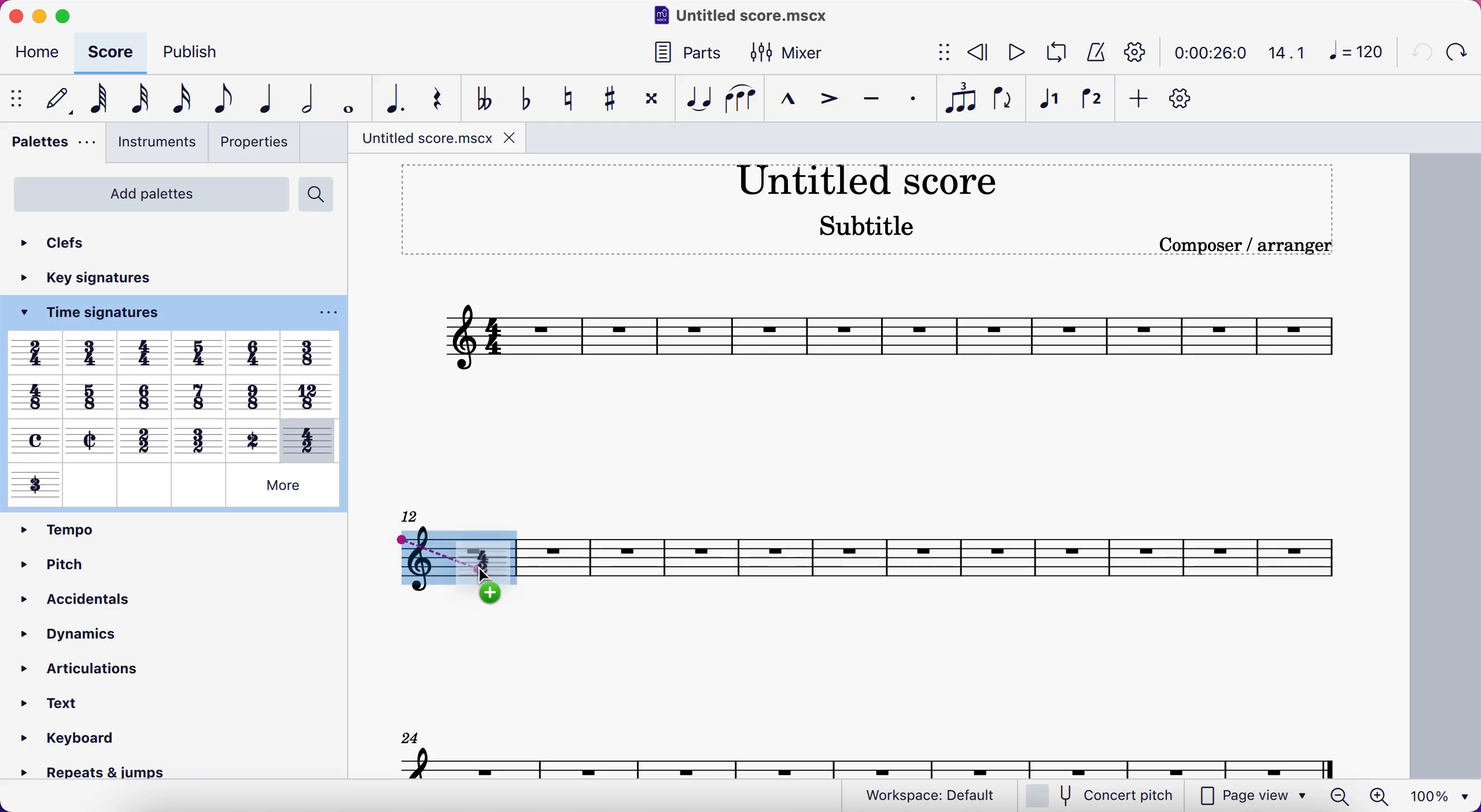  Describe the element at coordinates (91, 485) in the screenshot. I see `` at that location.